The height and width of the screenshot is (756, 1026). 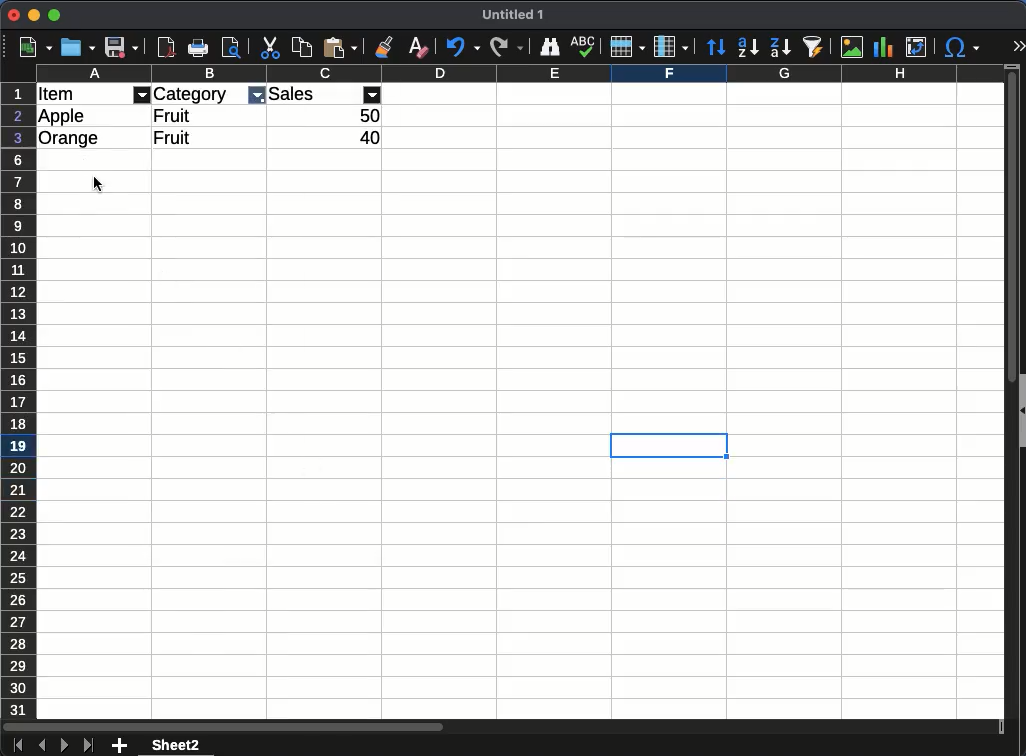 What do you see at coordinates (669, 445) in the screenshot?
I see `selected cell` at bounding box center [669, 445].